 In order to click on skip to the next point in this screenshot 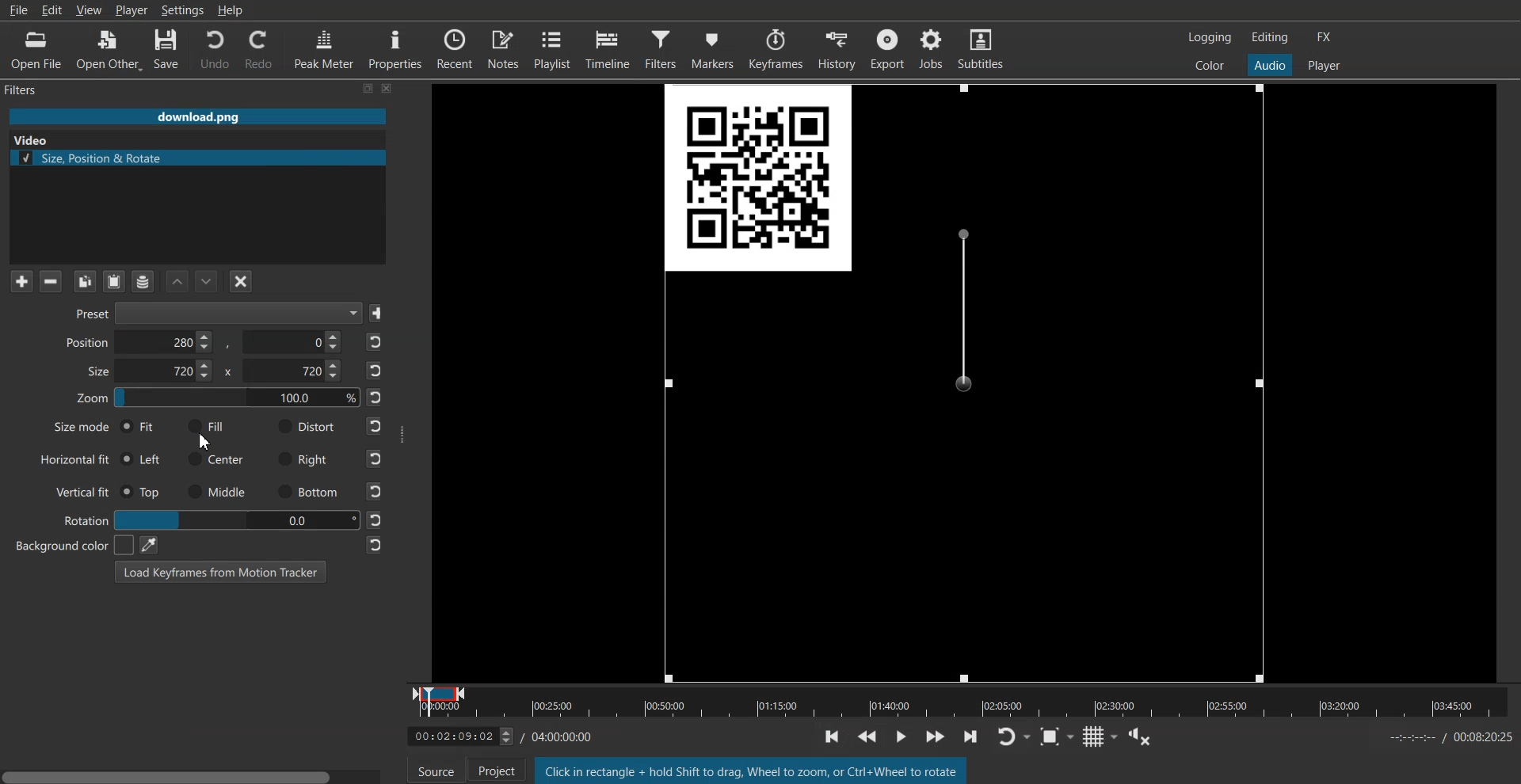, I will do `click(974, 740)`.